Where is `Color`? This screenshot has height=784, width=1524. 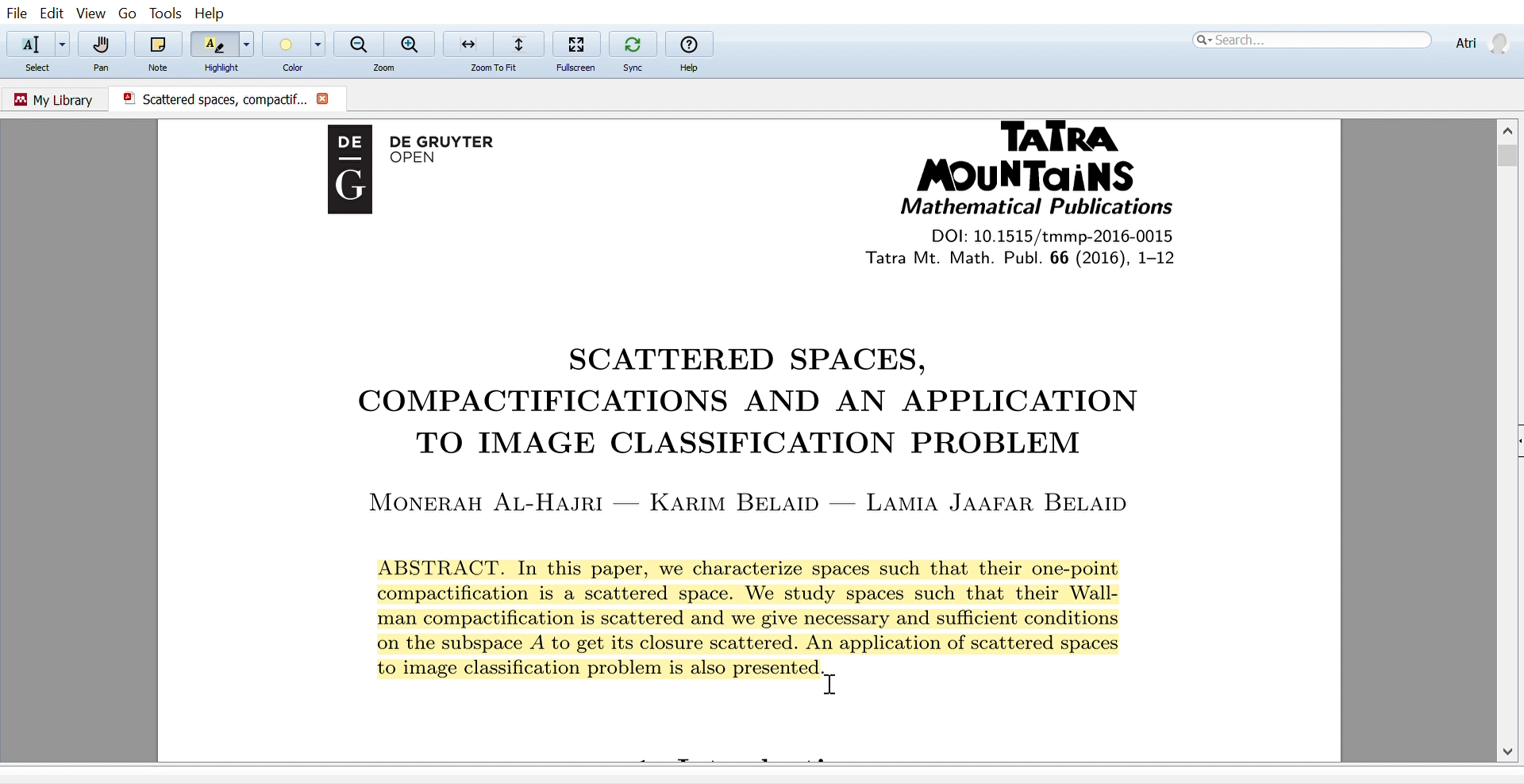
Color is located at coordinates (287, 70).